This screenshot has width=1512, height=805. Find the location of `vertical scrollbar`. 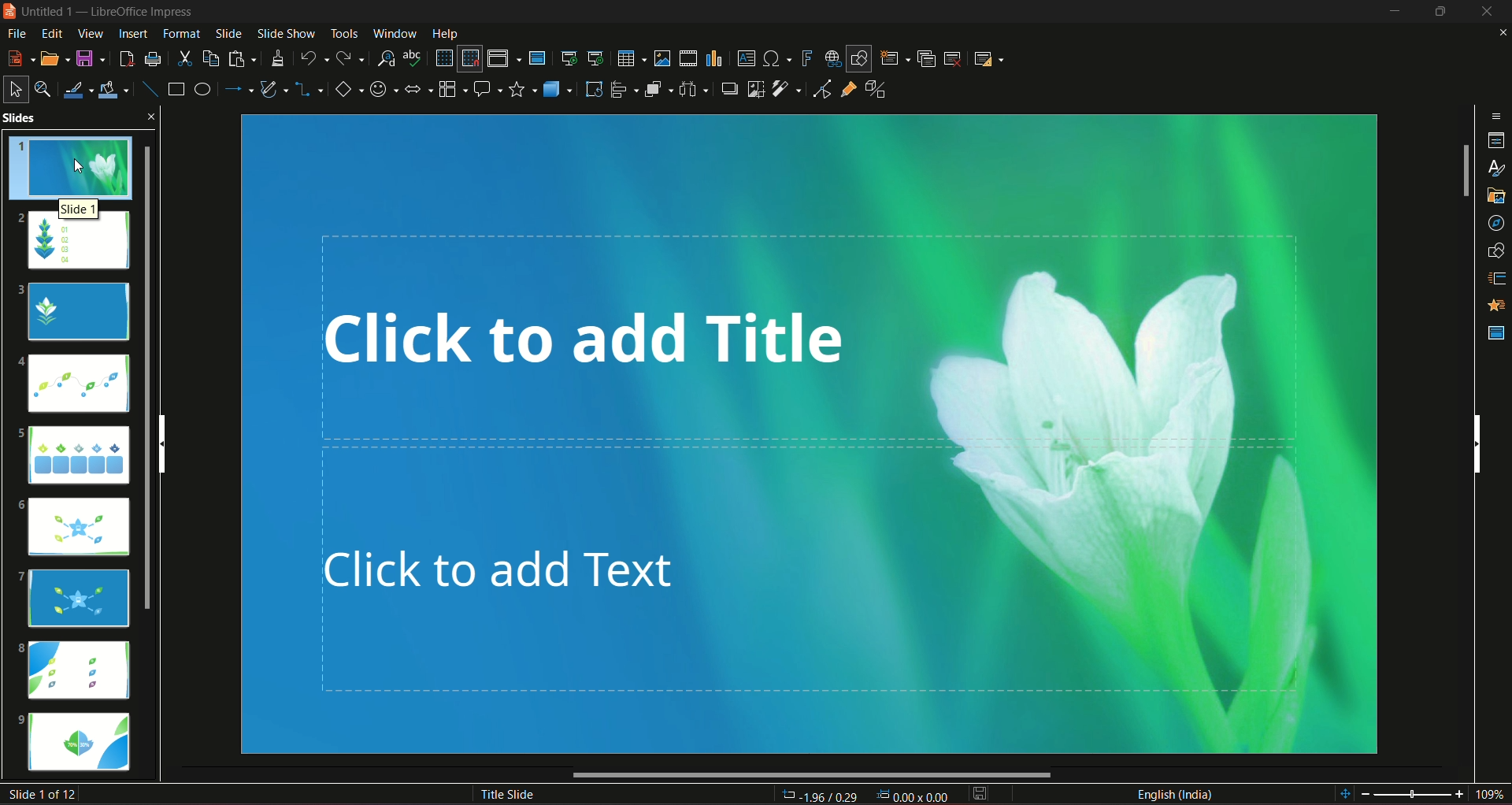

vertical scrollbar is located at coordinates (1477, 442).